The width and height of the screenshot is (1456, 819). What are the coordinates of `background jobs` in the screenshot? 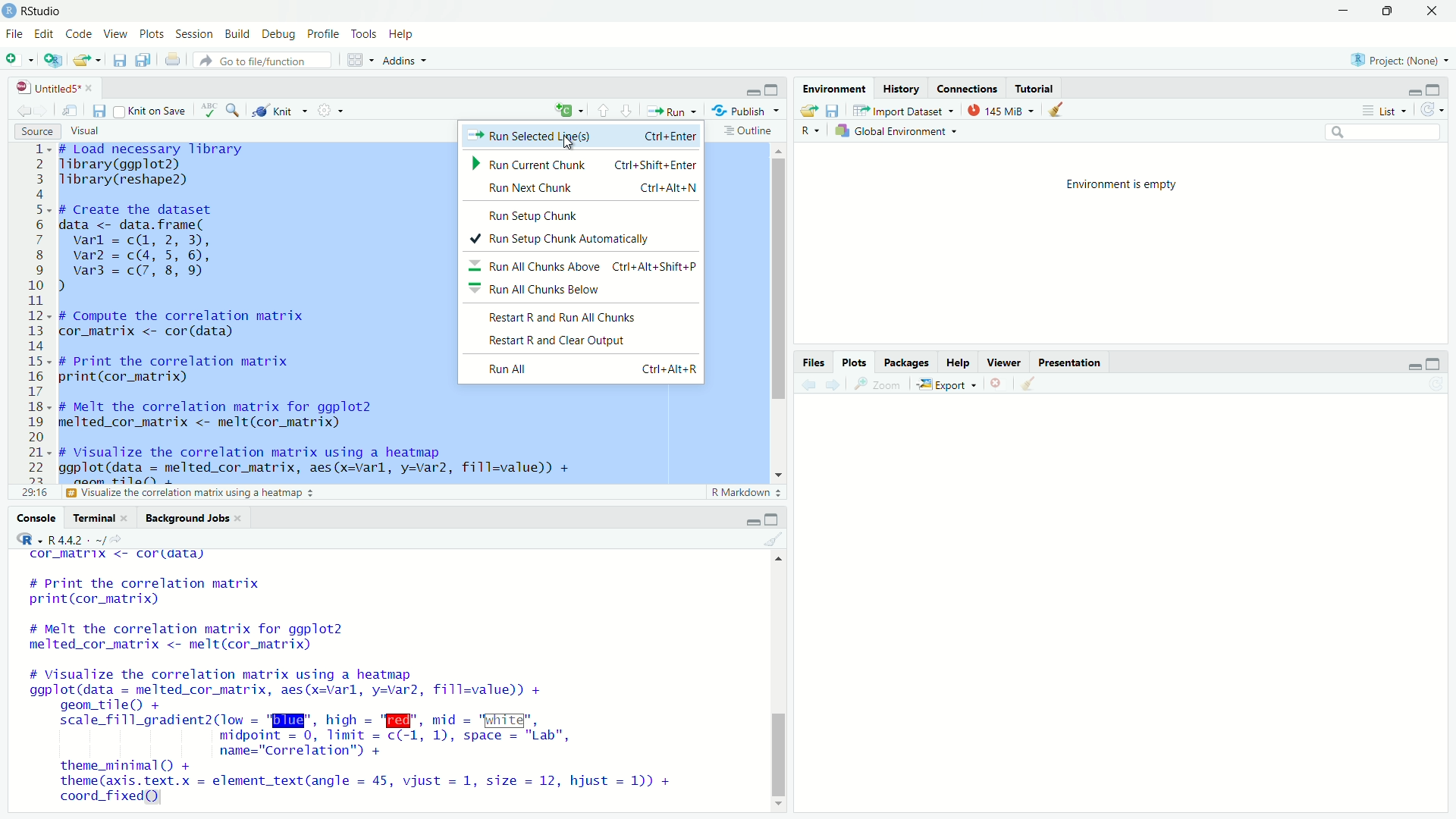 It's located at (194, 518).